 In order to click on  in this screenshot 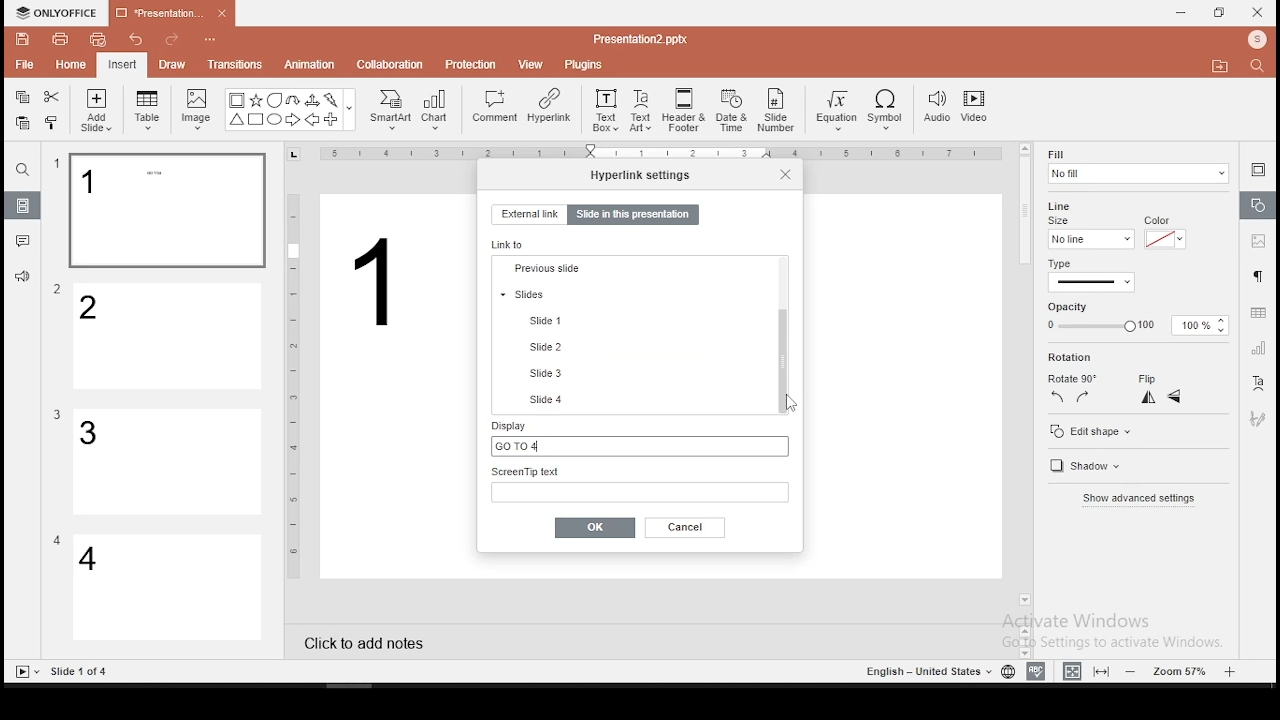, I will do `click(57, 164)`.